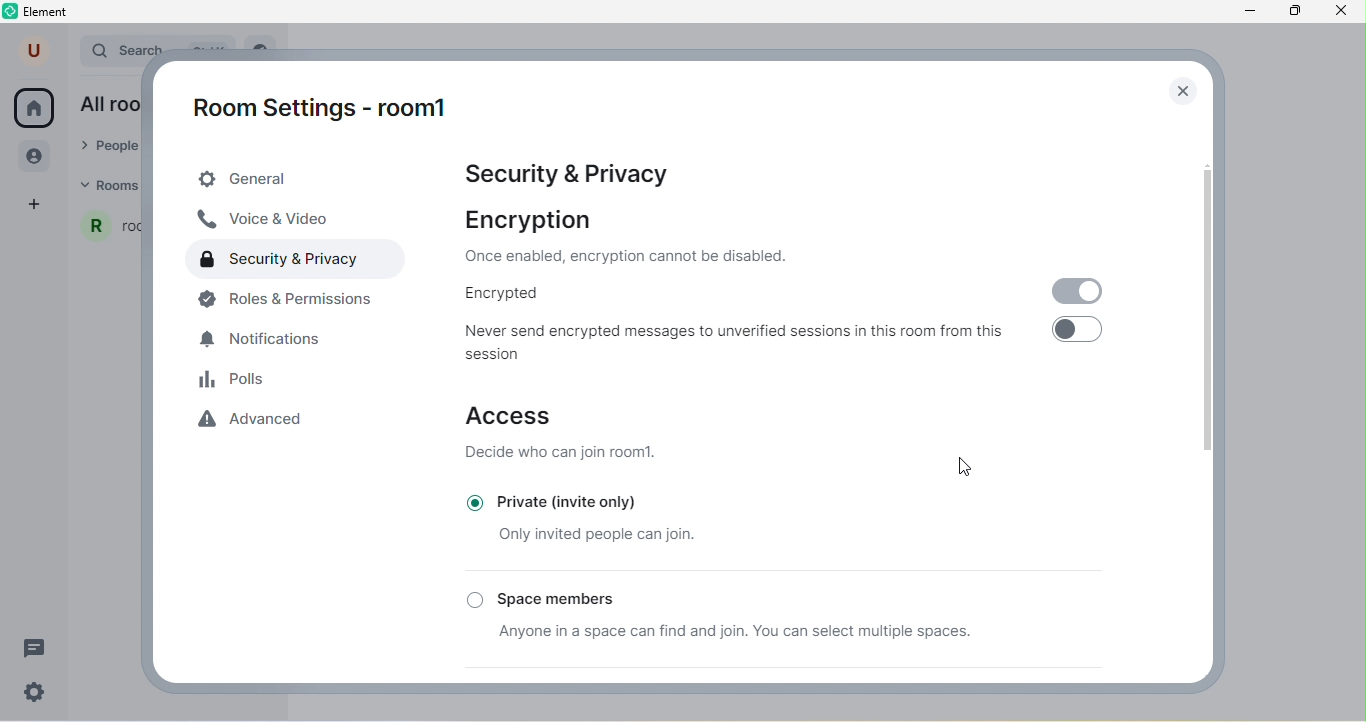 This screenshot has width=1366, height=722. I want to click on security and privacy, so click(285, 262).